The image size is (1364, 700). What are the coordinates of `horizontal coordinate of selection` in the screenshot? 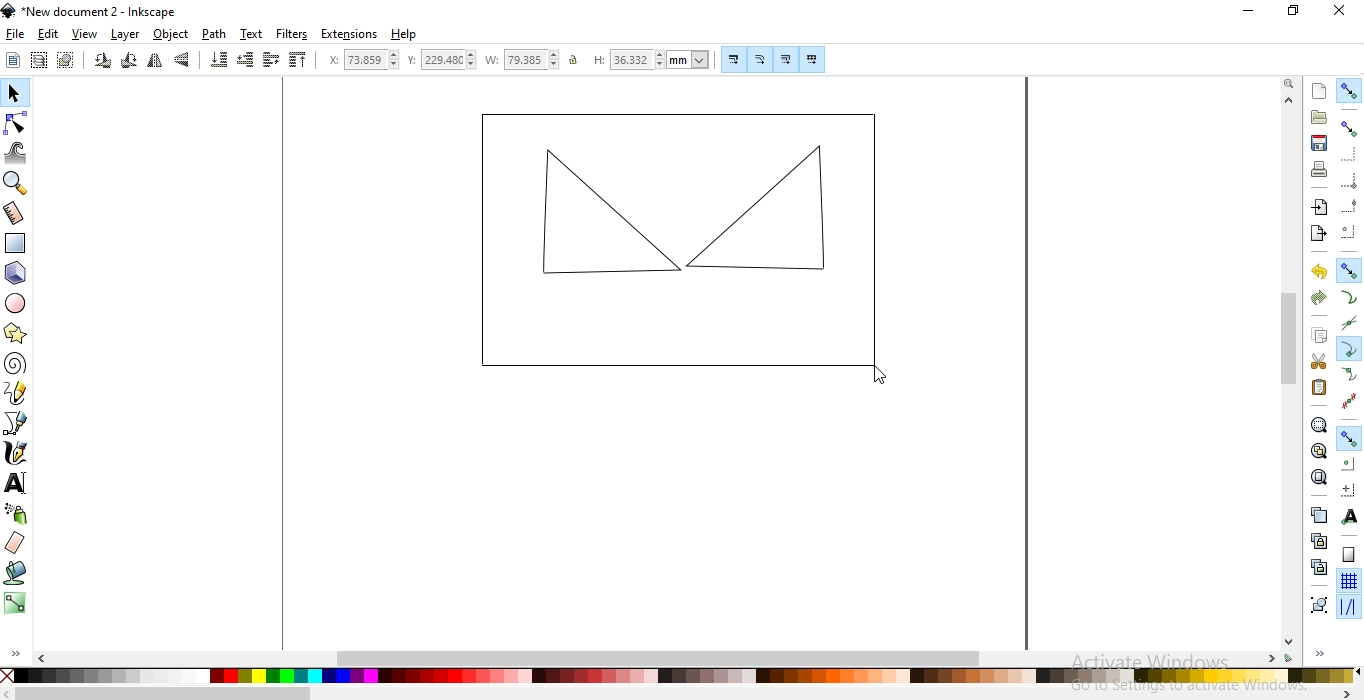 It's located at (365, 59).